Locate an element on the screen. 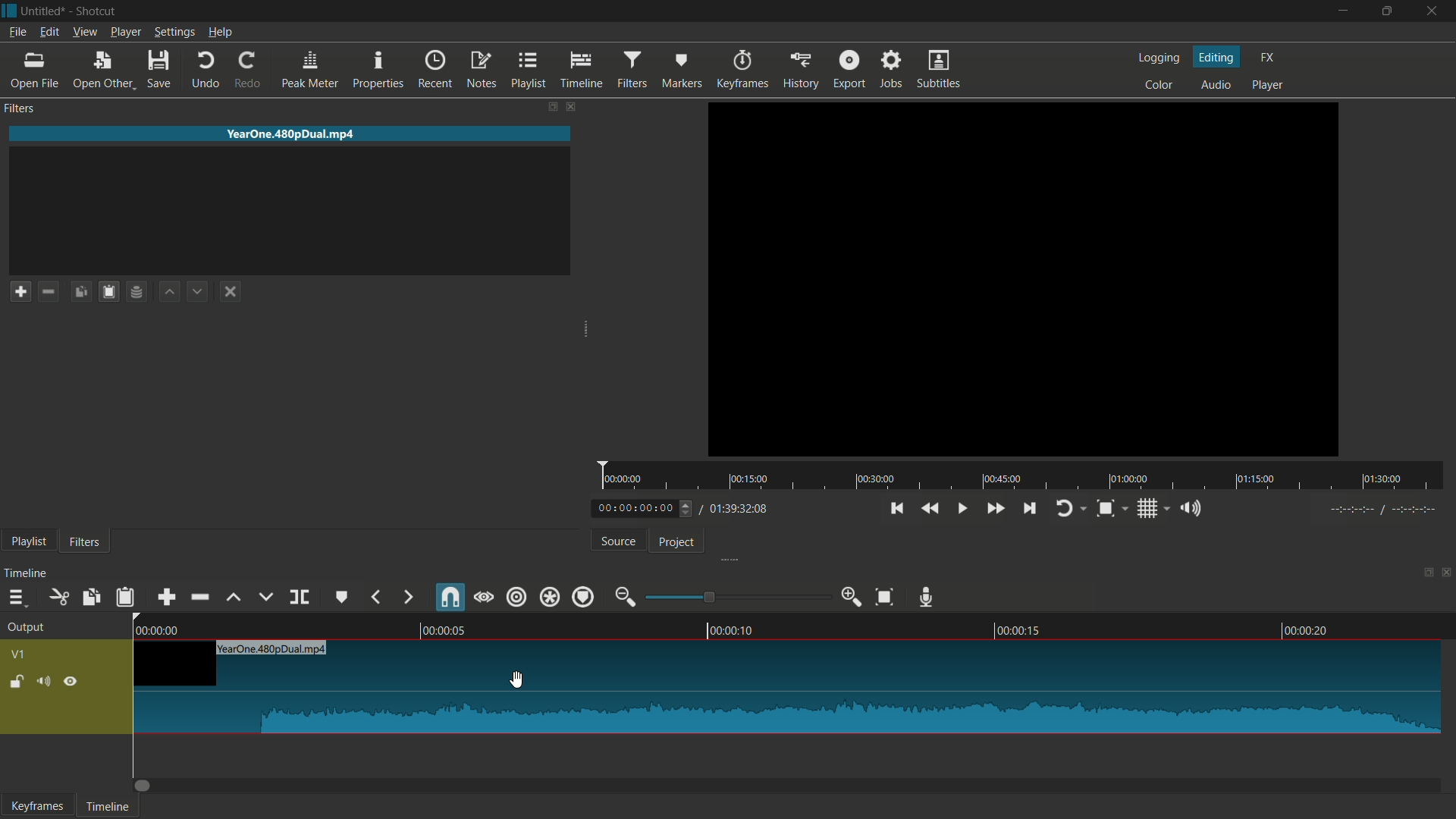  history is located at coordinates (801, 70).